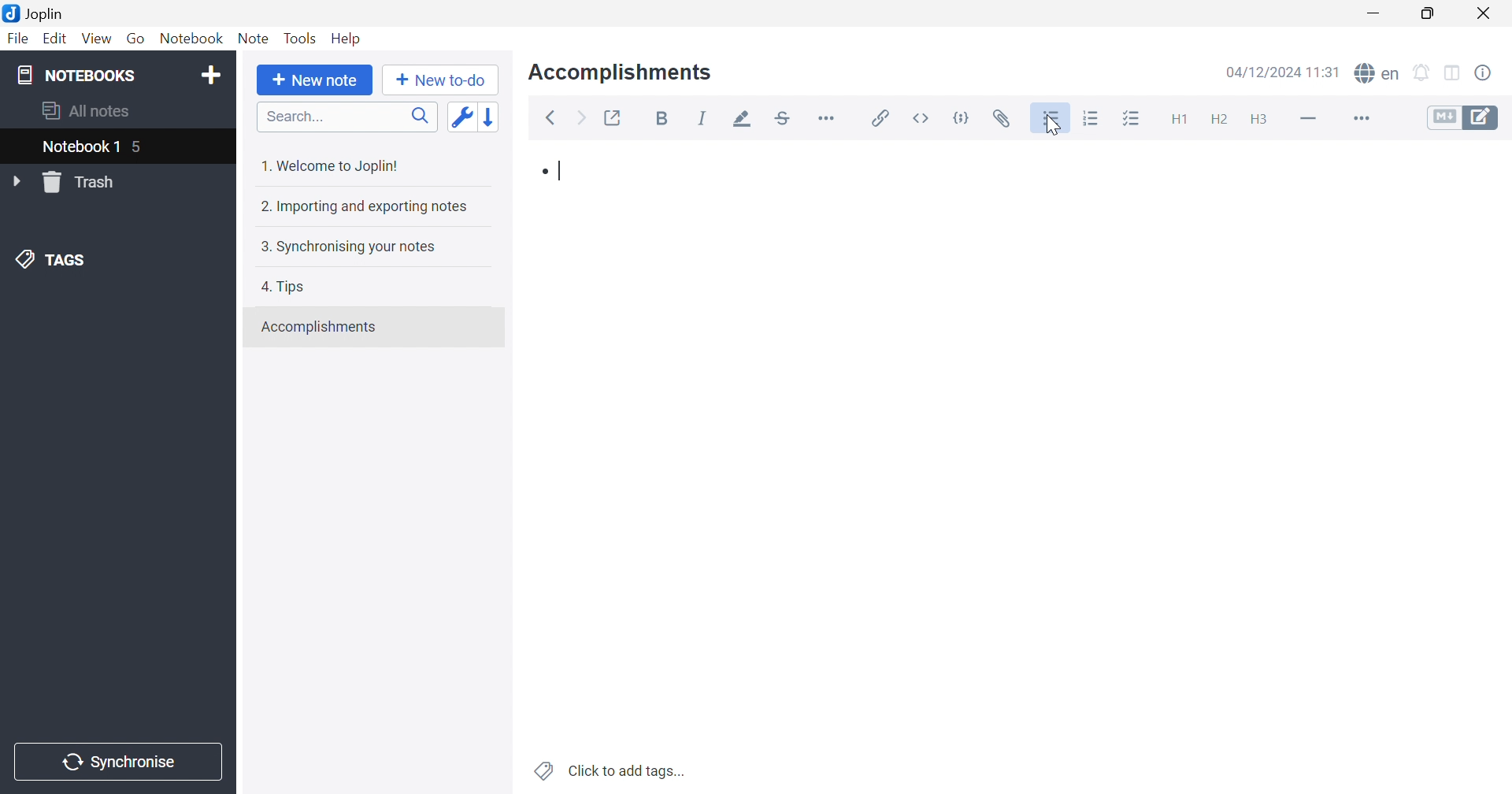 The image size is (1512, 794). What do you see at coordinates (80, 147) in the screenshot?
I see `Notebook 1` at bounding box center [80, 147].